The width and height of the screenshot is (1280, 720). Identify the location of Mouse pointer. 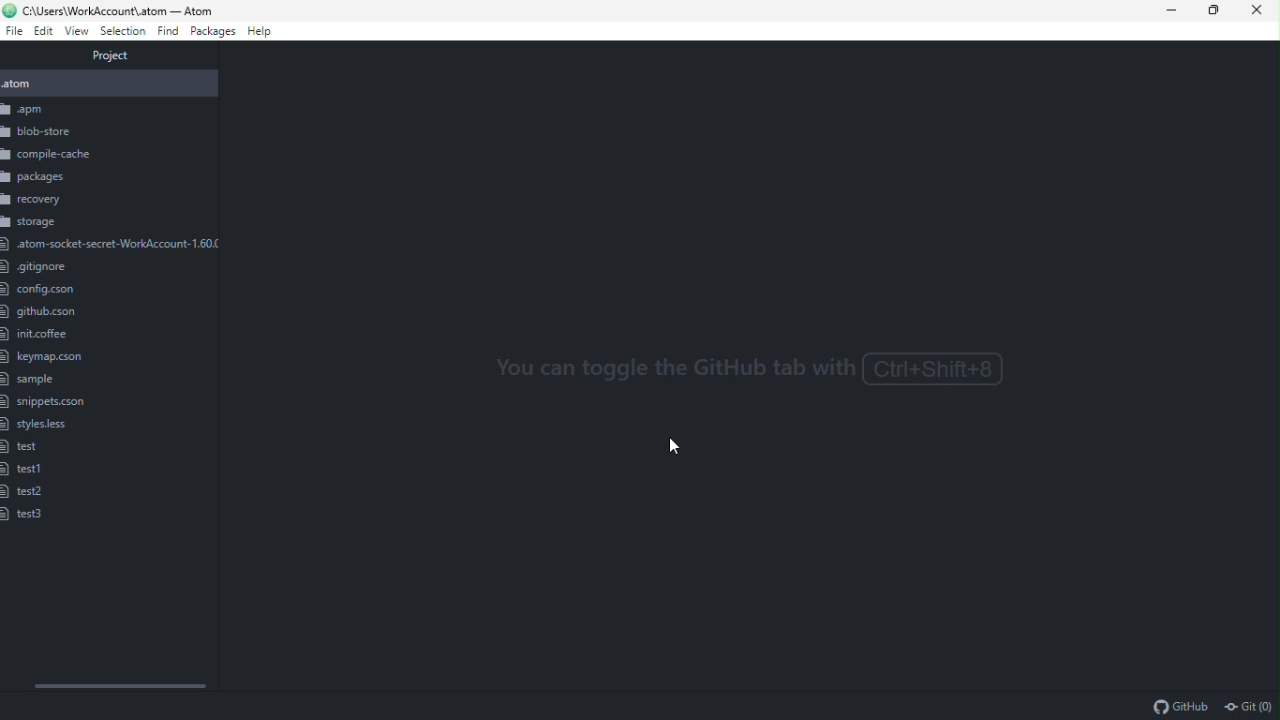
(679, 448).